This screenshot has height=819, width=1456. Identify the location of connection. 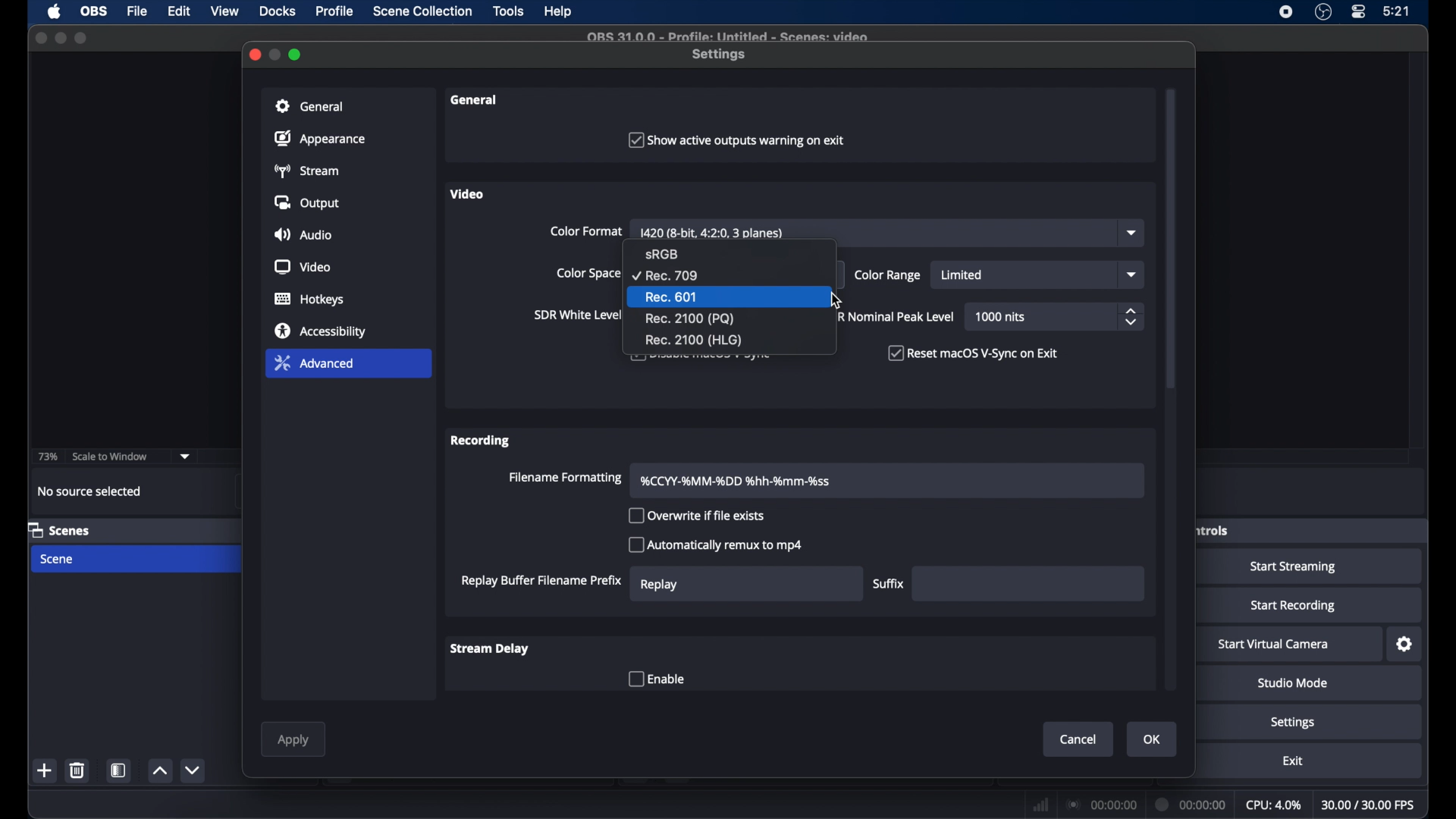
(1101, 805).